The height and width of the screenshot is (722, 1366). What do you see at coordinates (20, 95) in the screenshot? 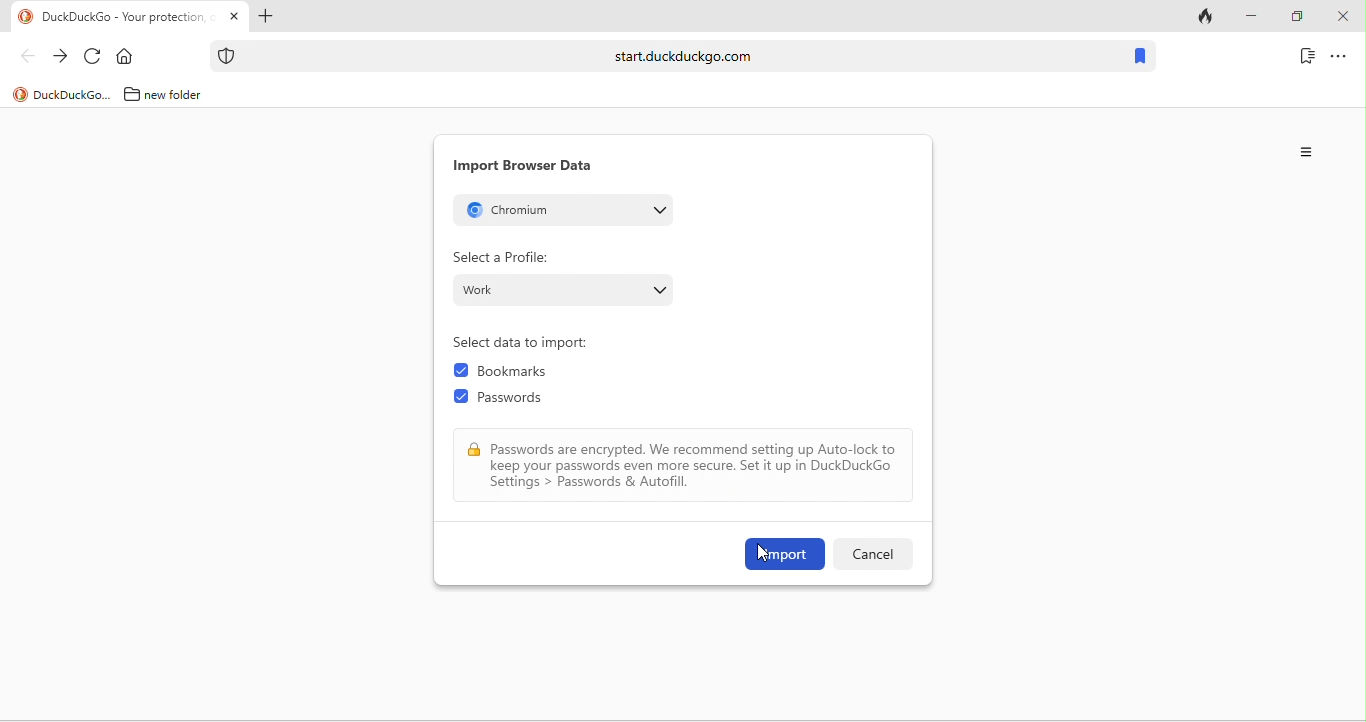
I see `icon` at bounding box center [20, 95].